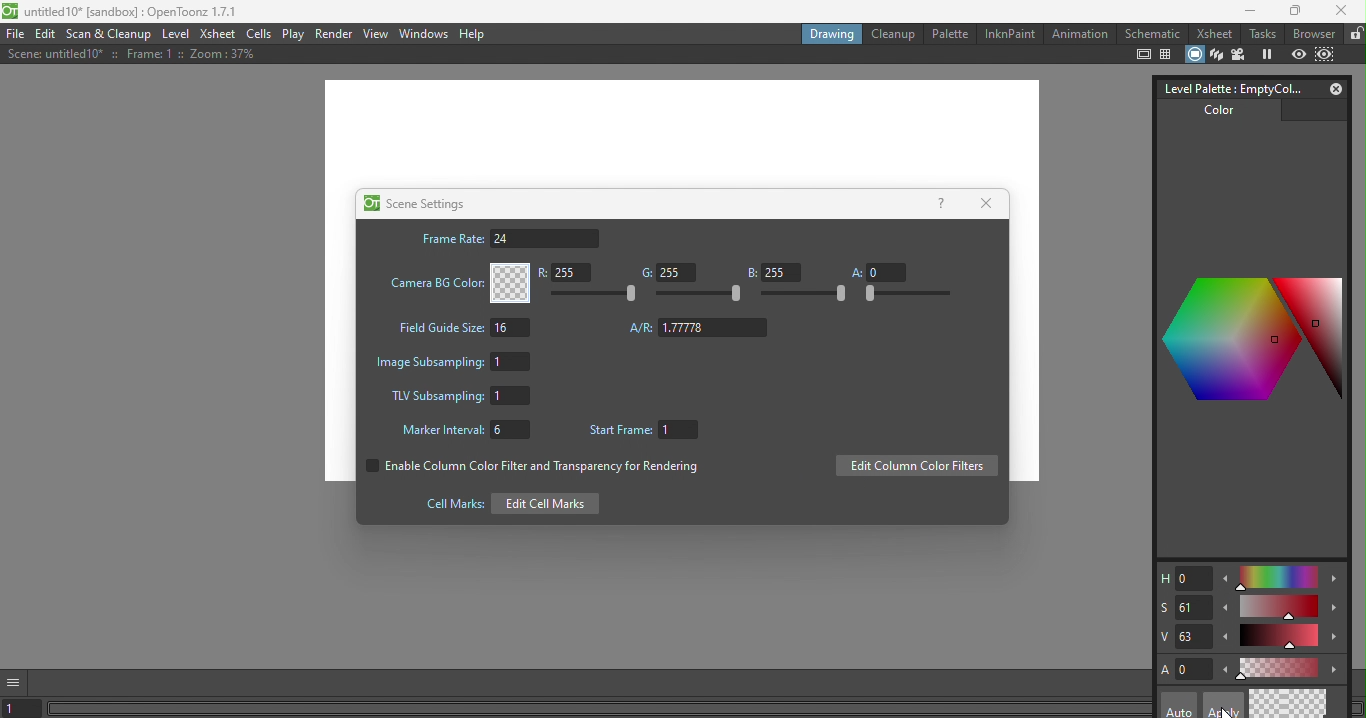 This screenshot has width=1366, height=718. What do you see at coordinates (1337, 670) in the screenshot?
I see `Increase` at bounding box center [1337, 670].